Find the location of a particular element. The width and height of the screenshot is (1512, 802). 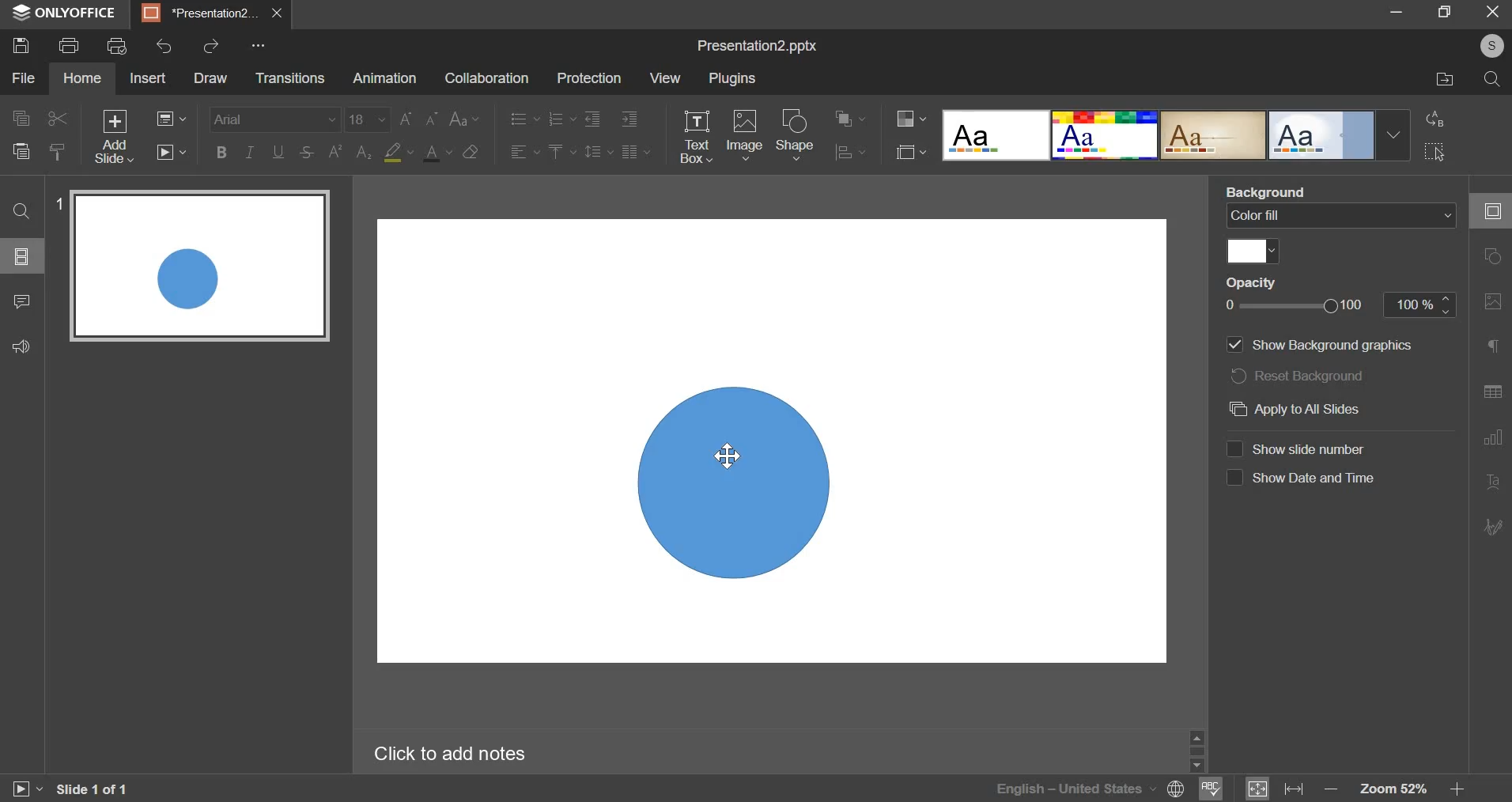

 is located at coordinates (259, 44).